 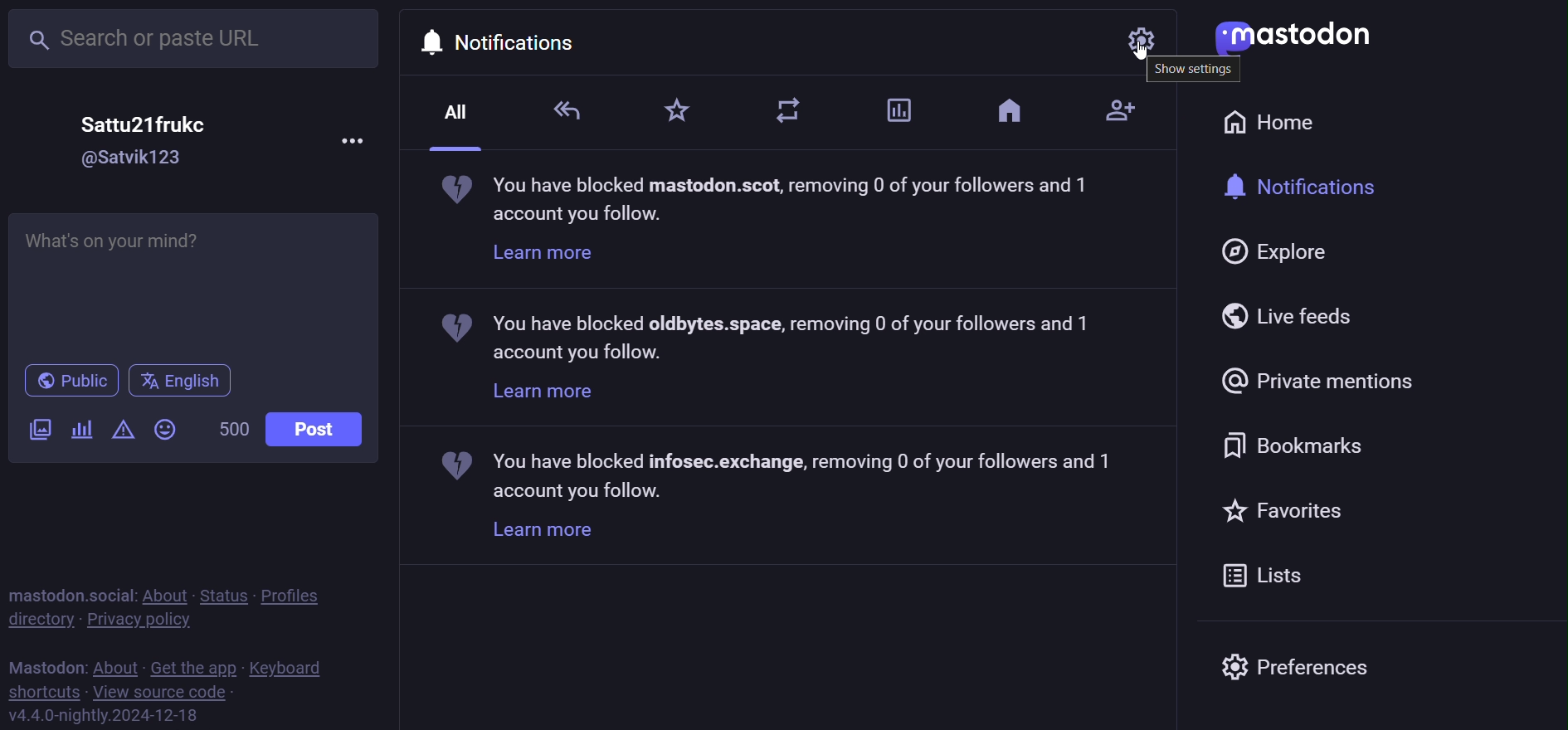 I want to click on show setting, so click(x=1195, y=73).